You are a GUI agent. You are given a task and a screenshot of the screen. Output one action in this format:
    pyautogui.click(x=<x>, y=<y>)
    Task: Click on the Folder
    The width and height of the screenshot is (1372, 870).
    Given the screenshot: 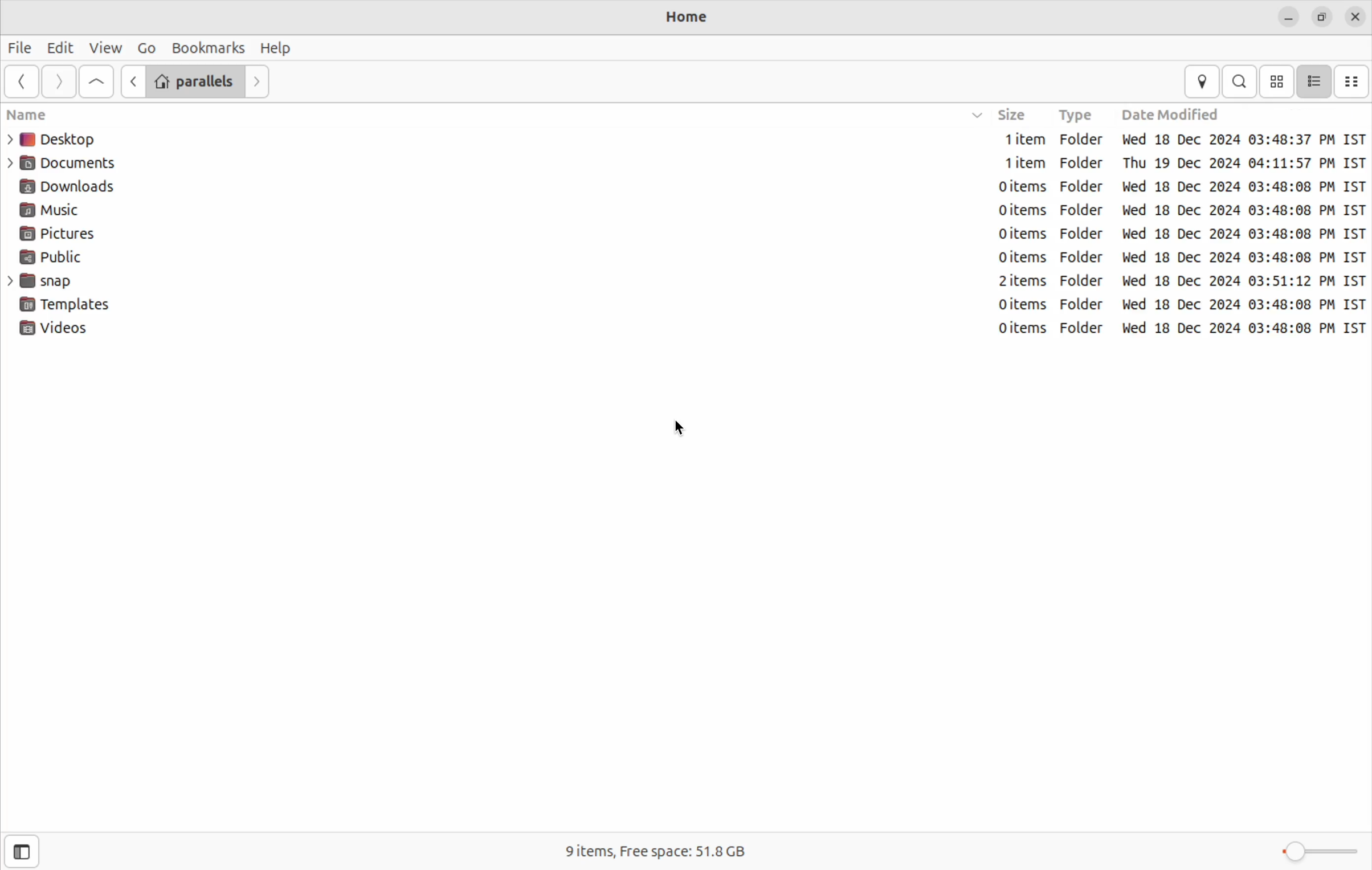 What is the action you would take?
    pyautogui.click(x=1081, y=142)
    